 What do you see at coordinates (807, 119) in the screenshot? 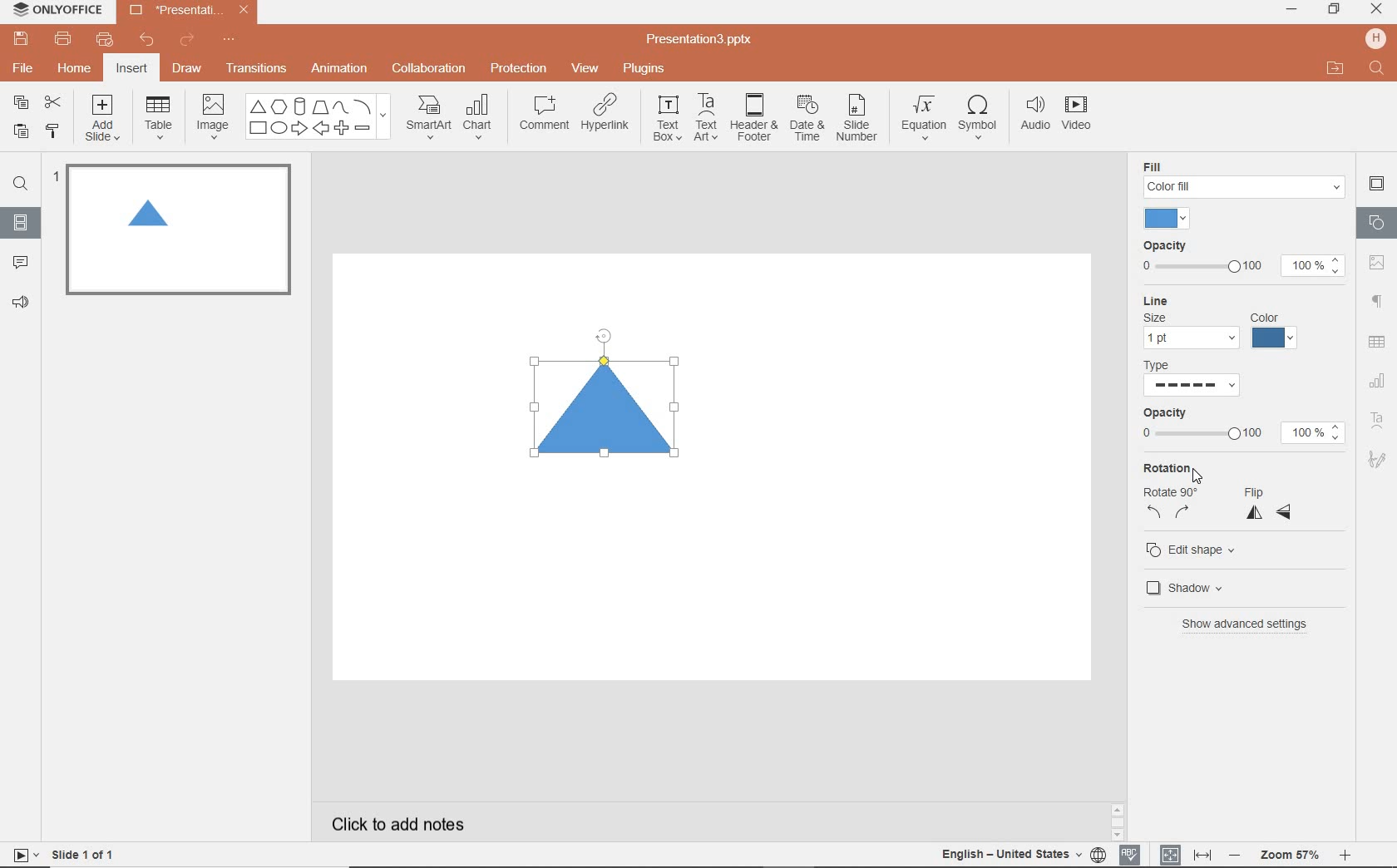
I see `DATE & TIME` at bounding box center [807, 119].